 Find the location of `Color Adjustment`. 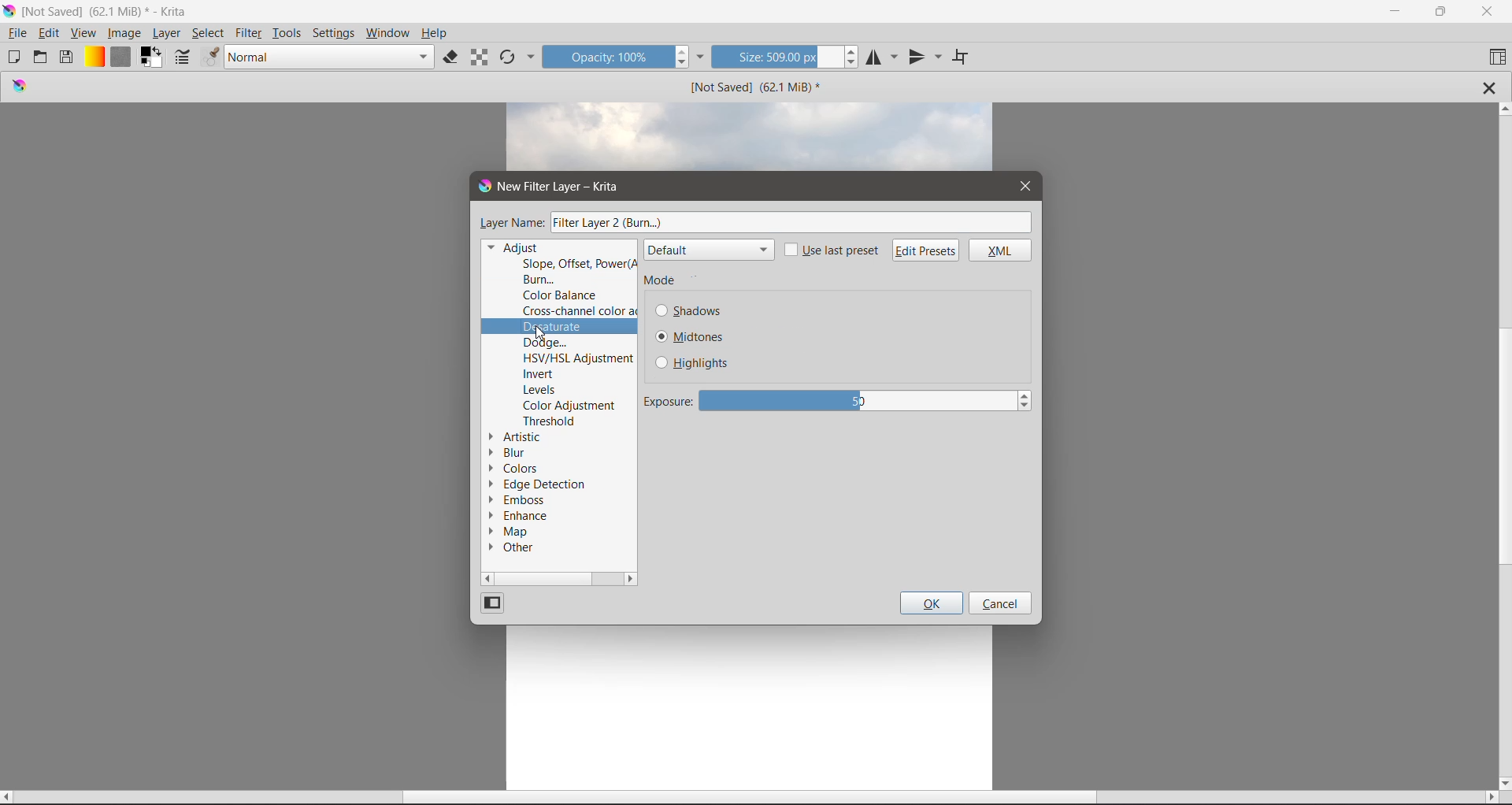

Color Adjustment is located at coordinates (569, 406).